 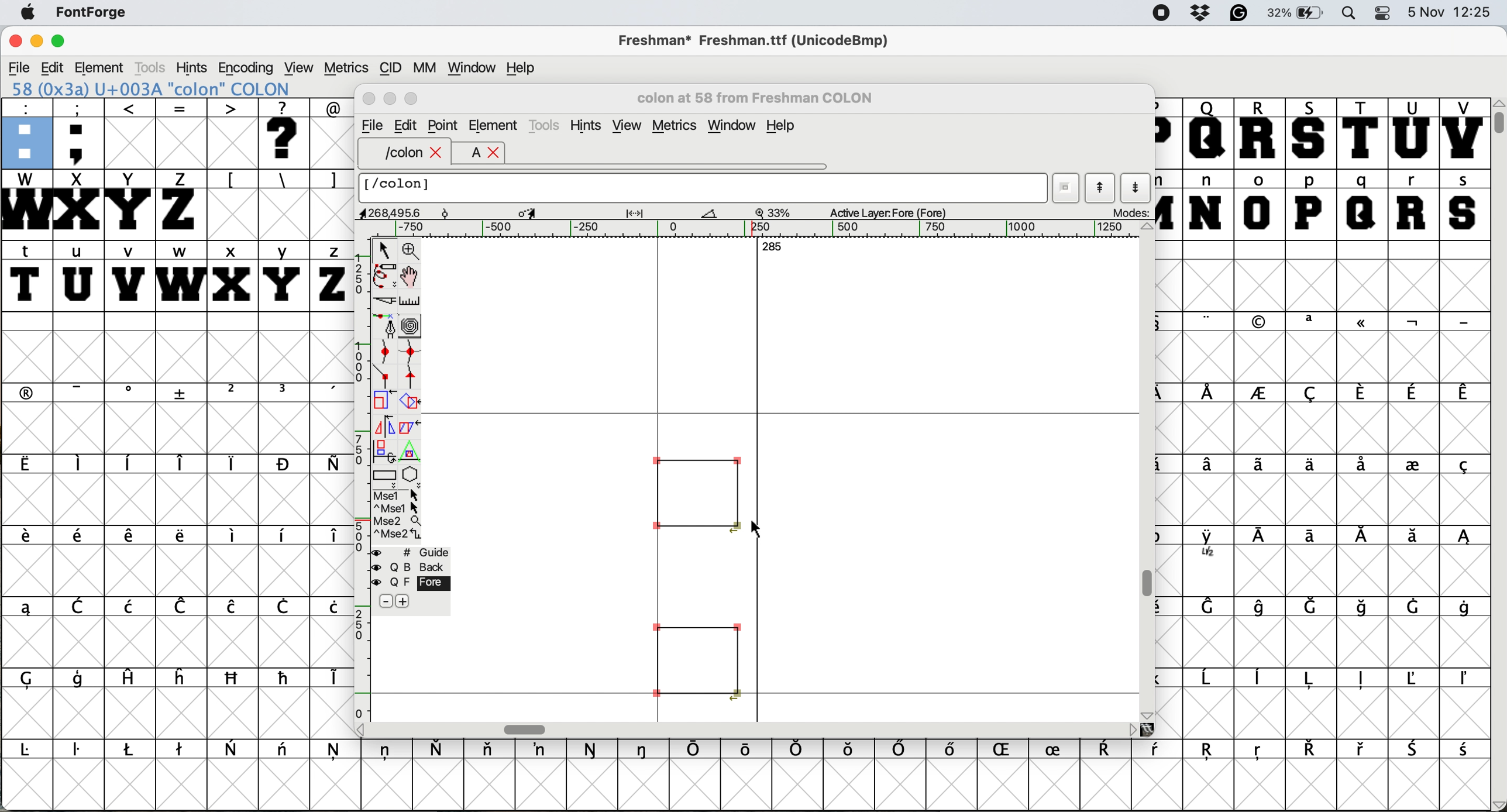 I want to click on symbol, so click(x=491, y=752).